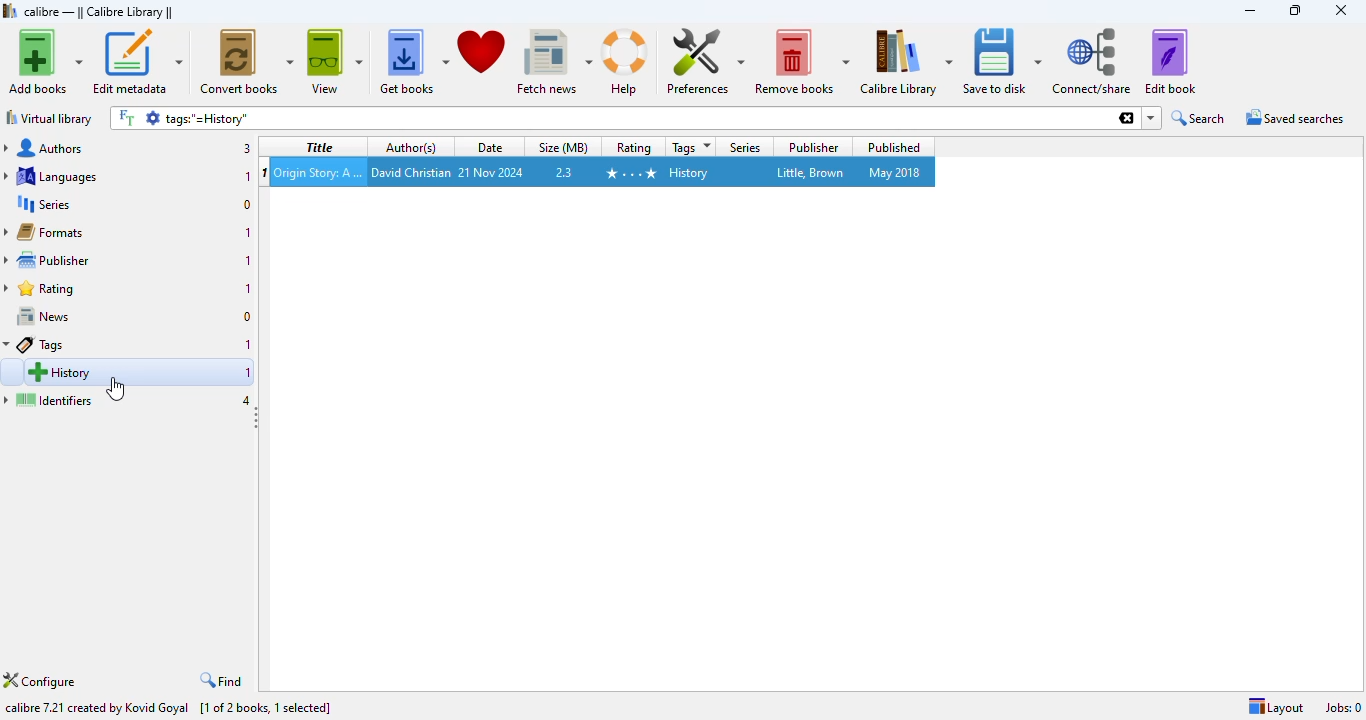 This screenshot has height=720, width=1366. I want to click on clesr, so click(1127, 119).